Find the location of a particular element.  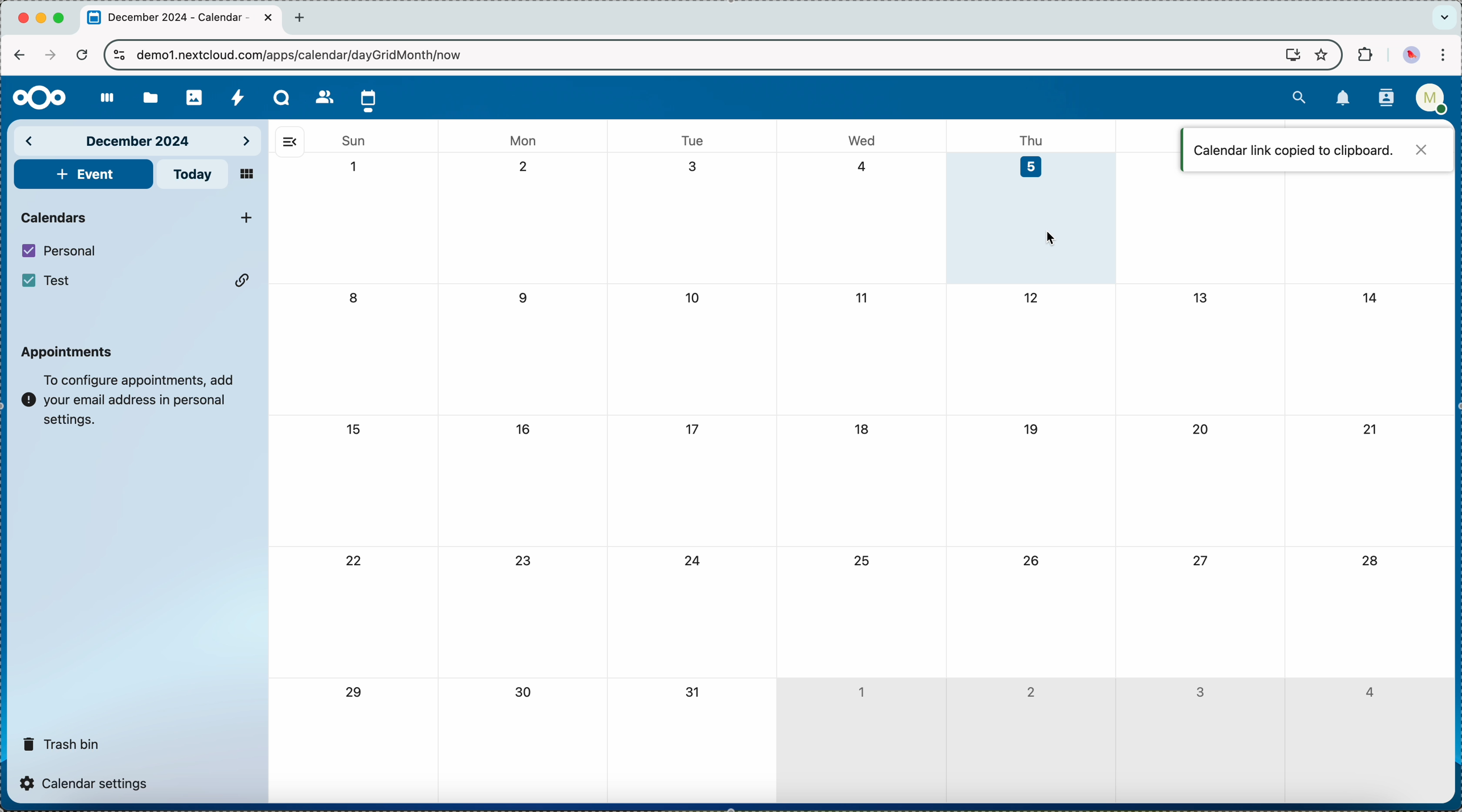

screen is located at coordinates (1287, 56).